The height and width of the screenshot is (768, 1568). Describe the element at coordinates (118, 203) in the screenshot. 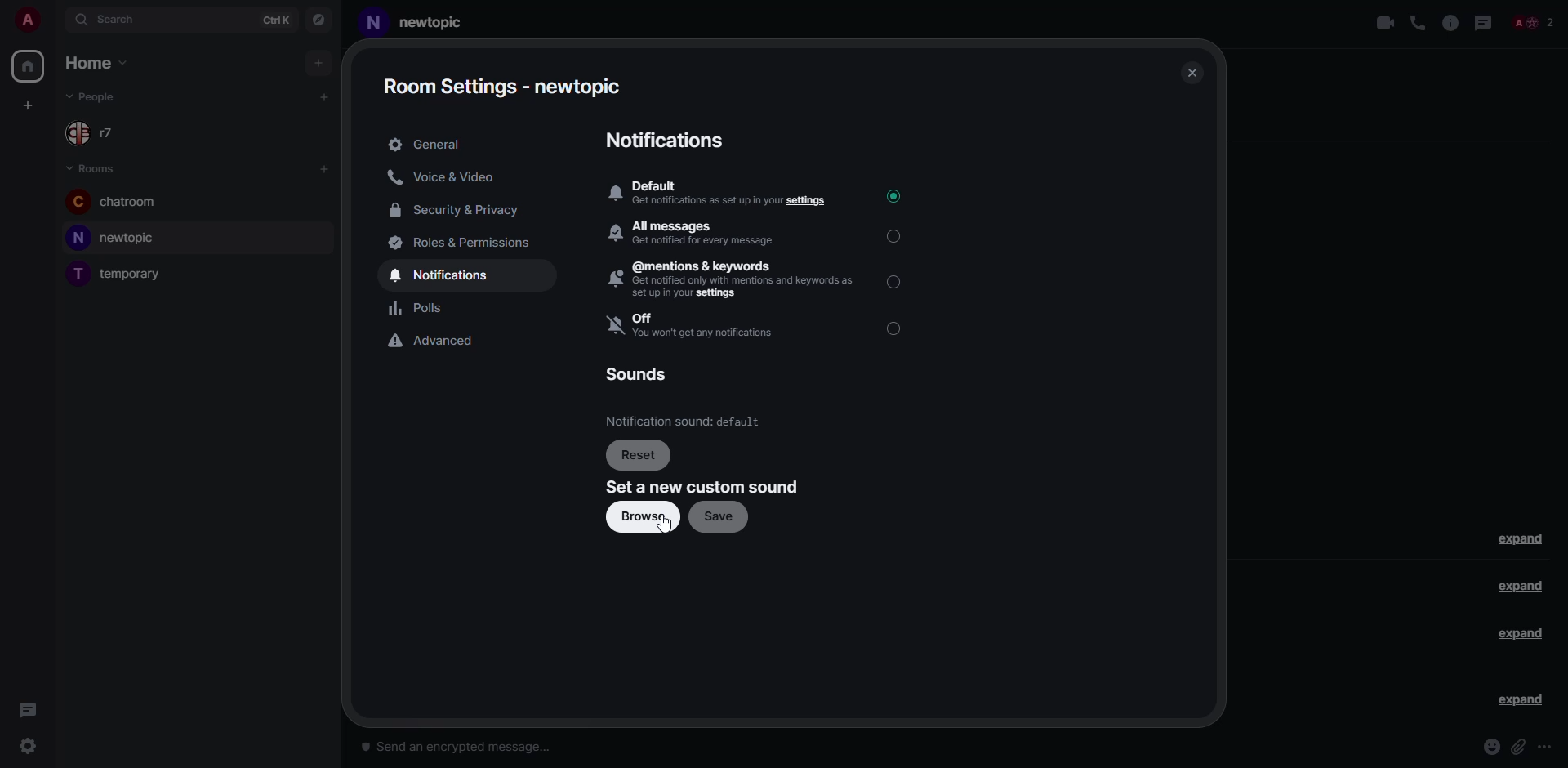

I see `chatroom` at that location.